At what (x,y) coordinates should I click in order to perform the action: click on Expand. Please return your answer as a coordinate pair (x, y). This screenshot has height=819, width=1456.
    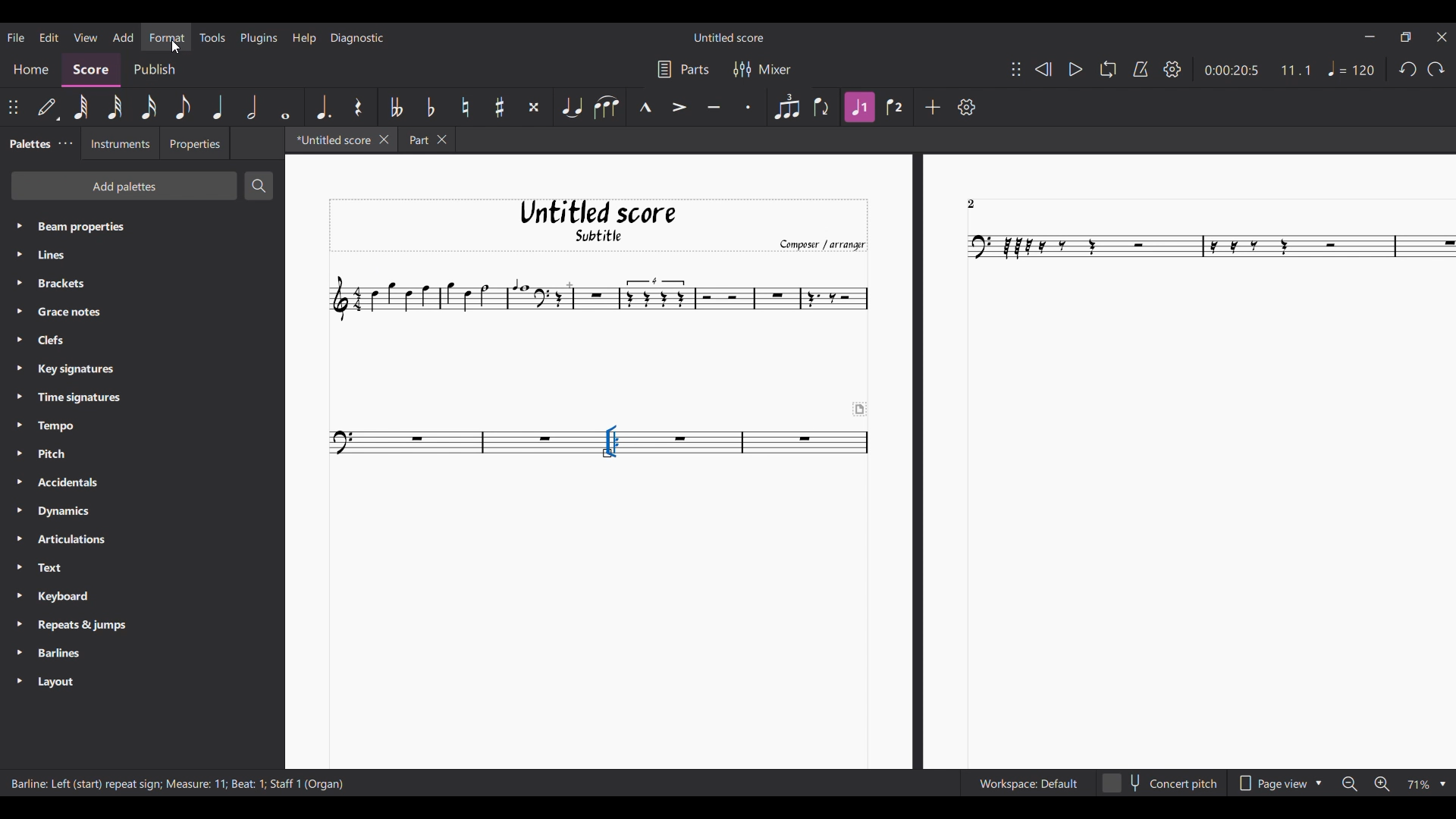
    Looking at the image, I should click on (19, 454).